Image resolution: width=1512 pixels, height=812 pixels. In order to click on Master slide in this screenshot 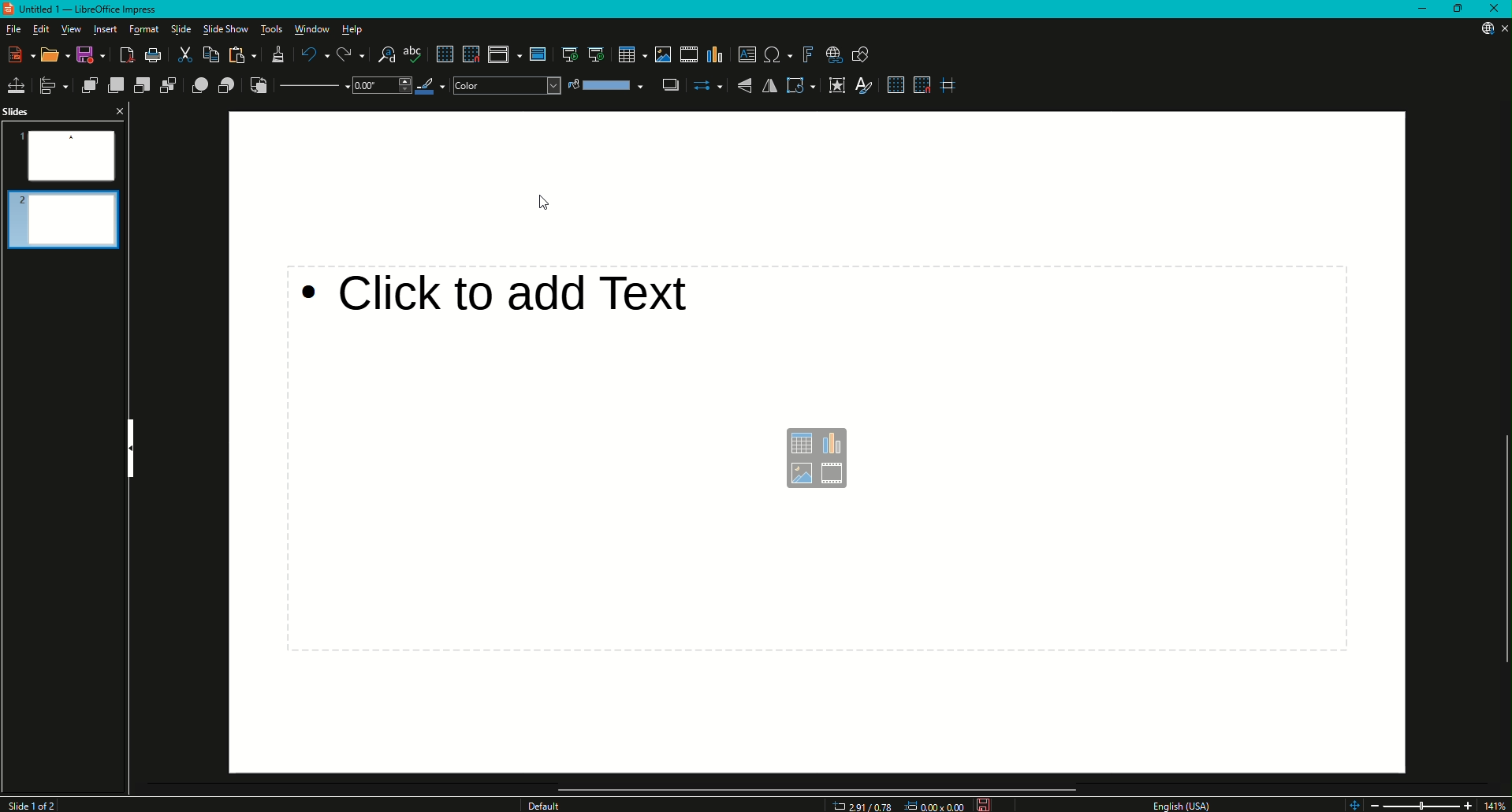, I will do `click(541, 54)`.